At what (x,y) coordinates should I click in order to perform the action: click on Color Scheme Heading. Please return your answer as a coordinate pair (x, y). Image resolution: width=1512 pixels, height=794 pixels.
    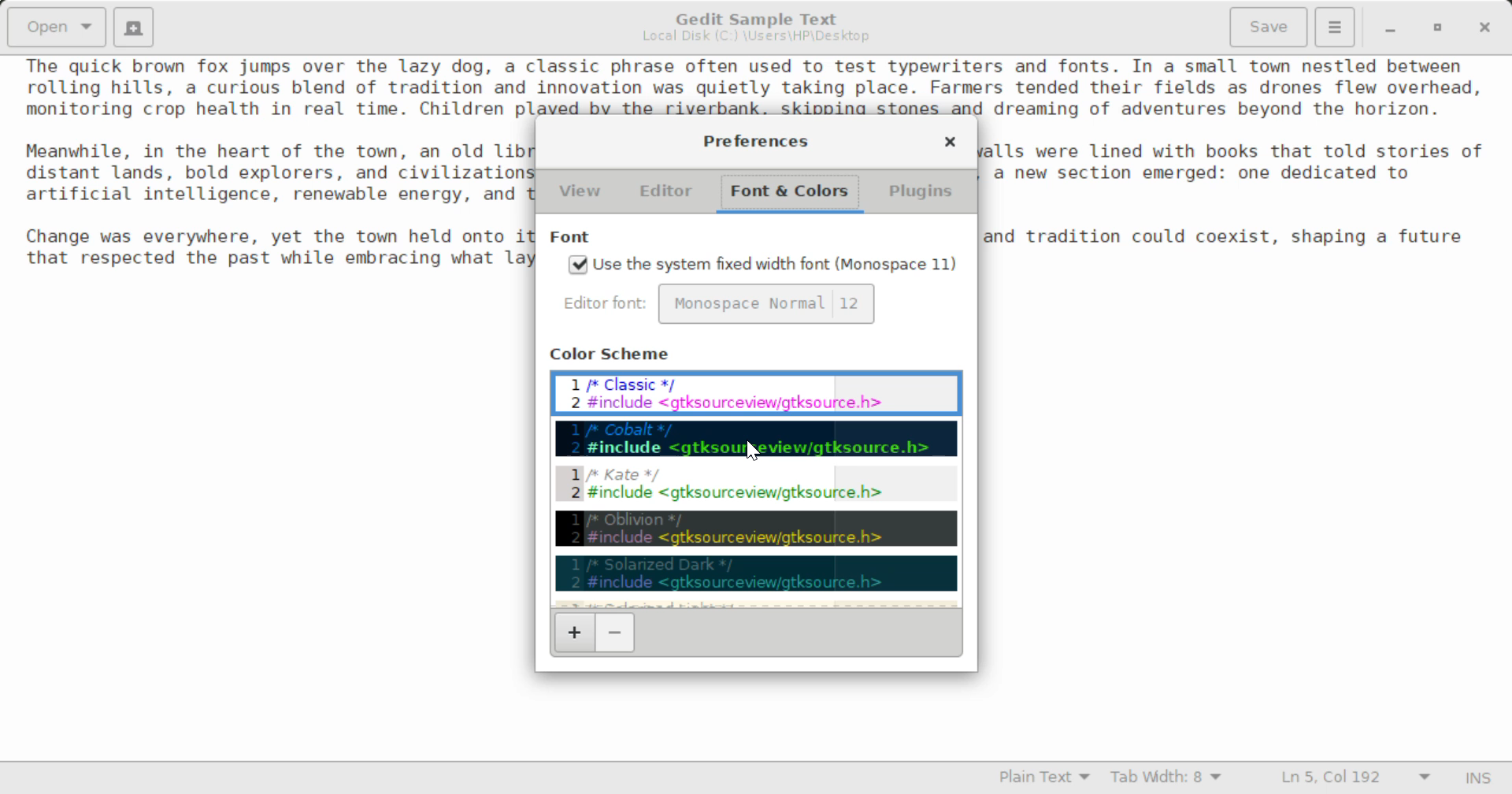
    Looking at the image, I should click on (613, 353).